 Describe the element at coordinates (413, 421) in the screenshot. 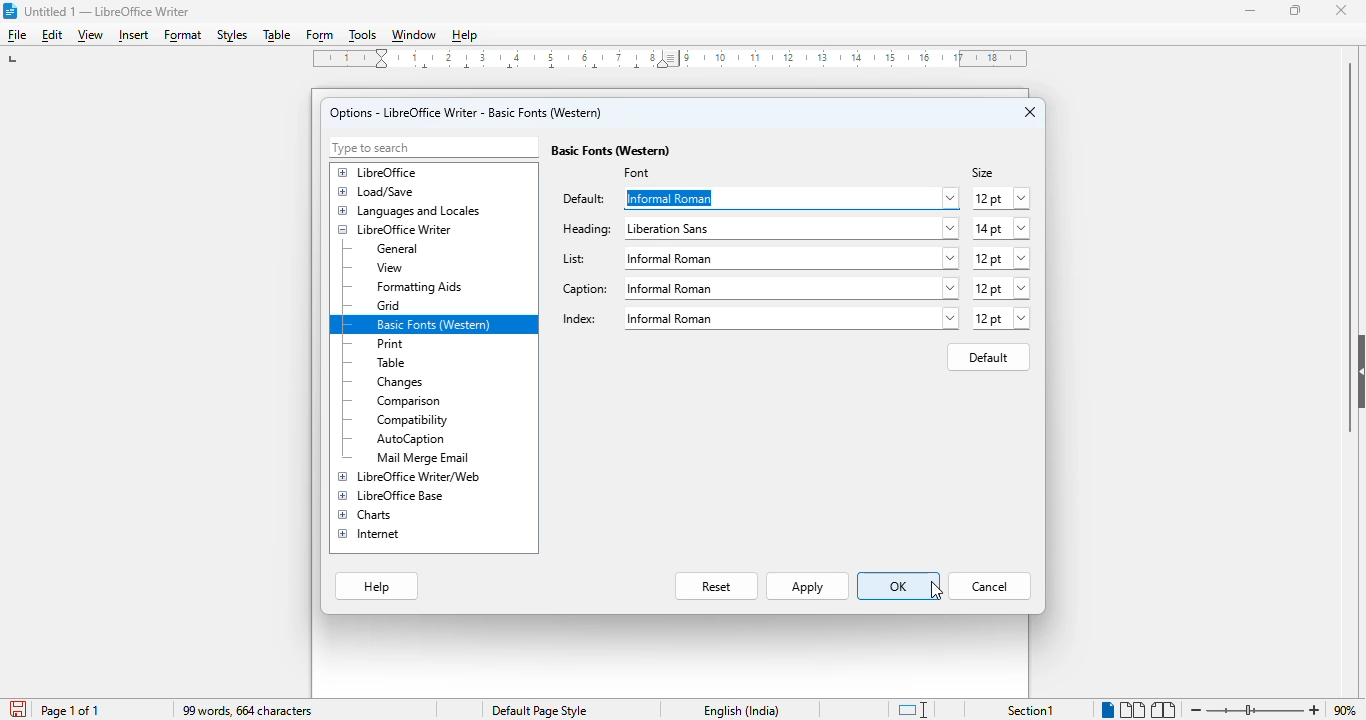

I see `compatibility` at that location.